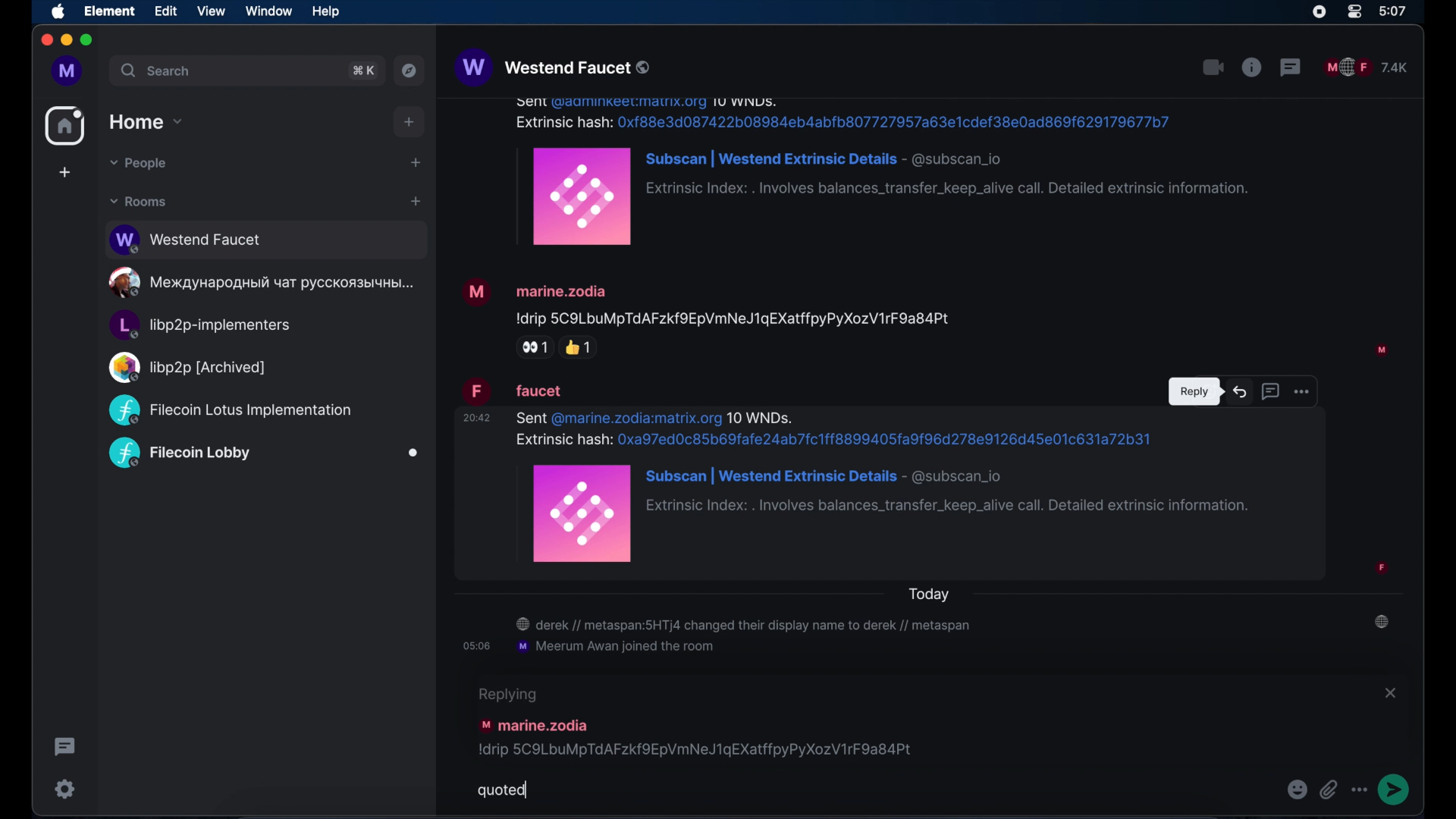 The image size is (1456, 819). What do you see at coordinates (138, 202) in the screenshot?
I see `rooms dropdown` at bounding box center [138, 202].